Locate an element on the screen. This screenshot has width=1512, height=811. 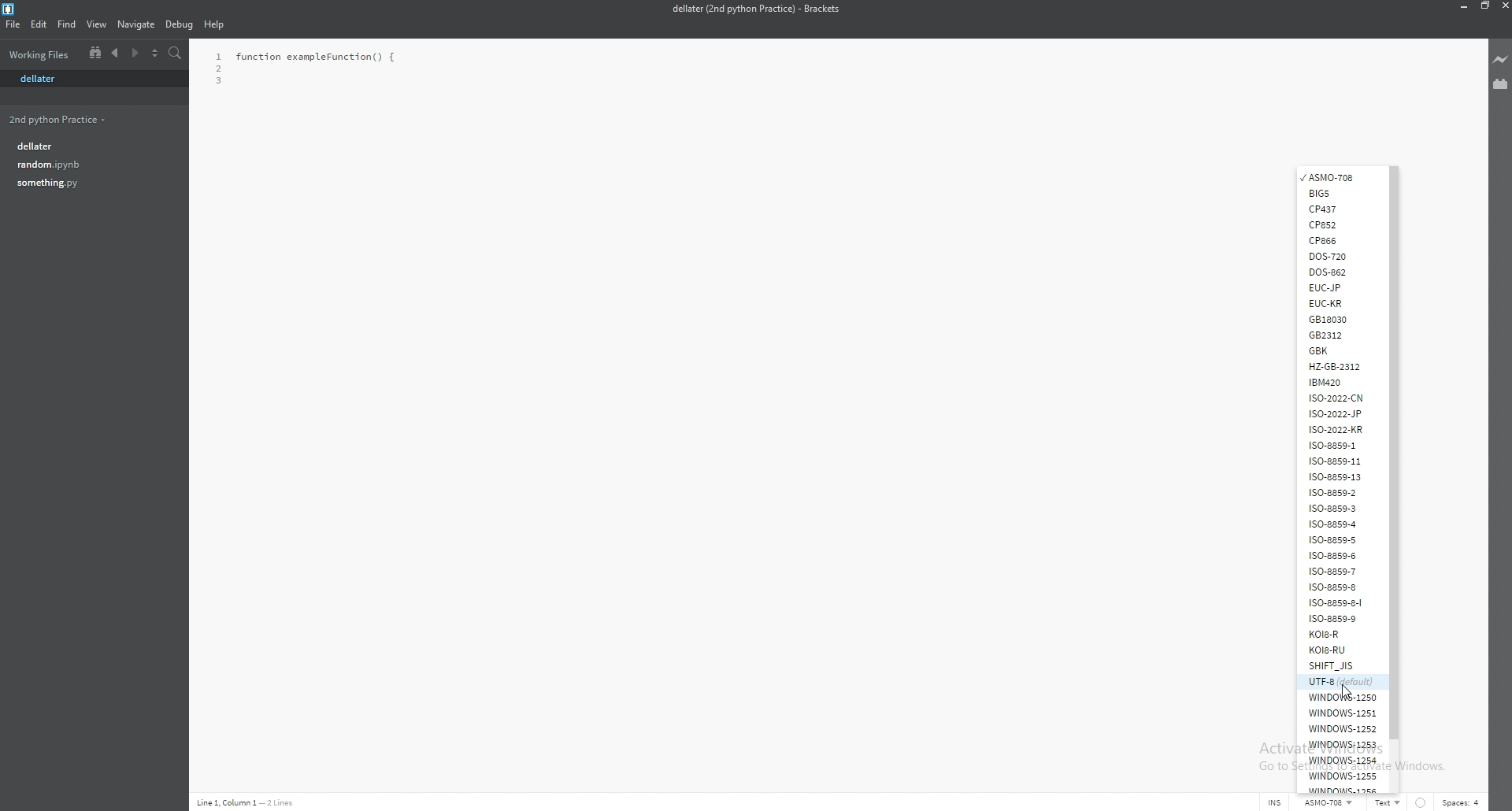
big5 is located at coordinates (1340, 193).